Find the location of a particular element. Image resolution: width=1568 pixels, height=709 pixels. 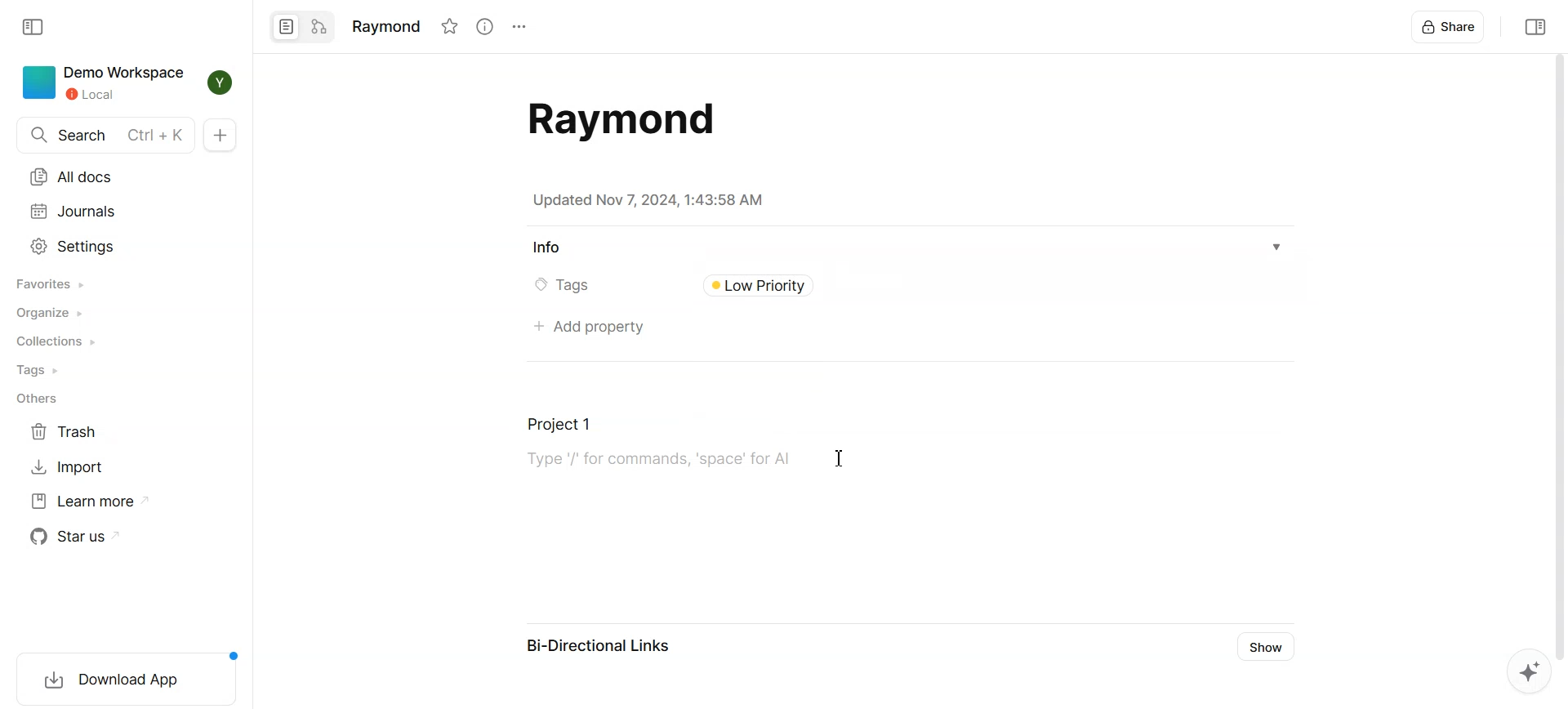

Organize is located at coordinates (53, 313).